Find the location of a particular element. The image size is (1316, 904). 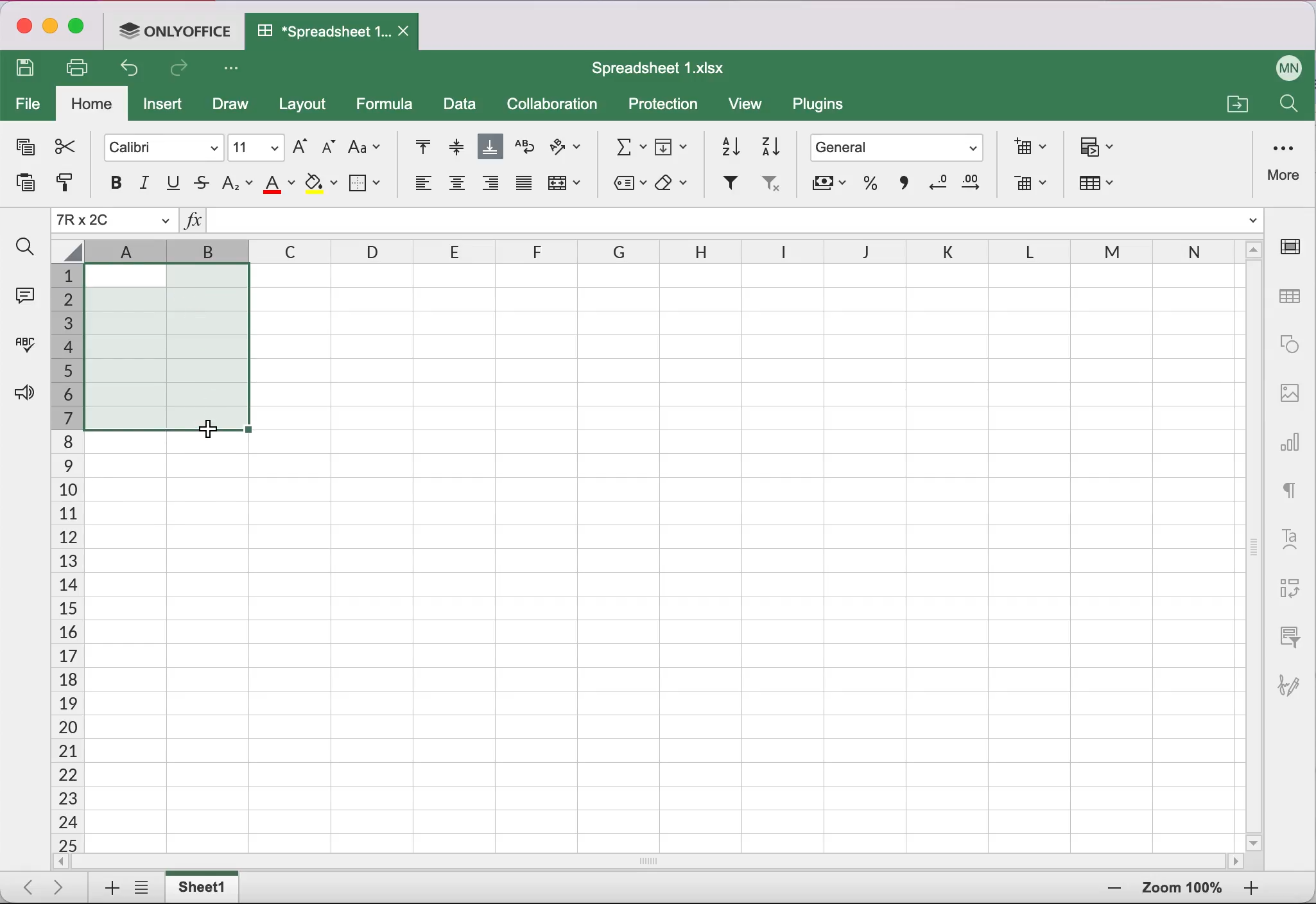

ONLYOFFICE is located at coordinates (178, 30).